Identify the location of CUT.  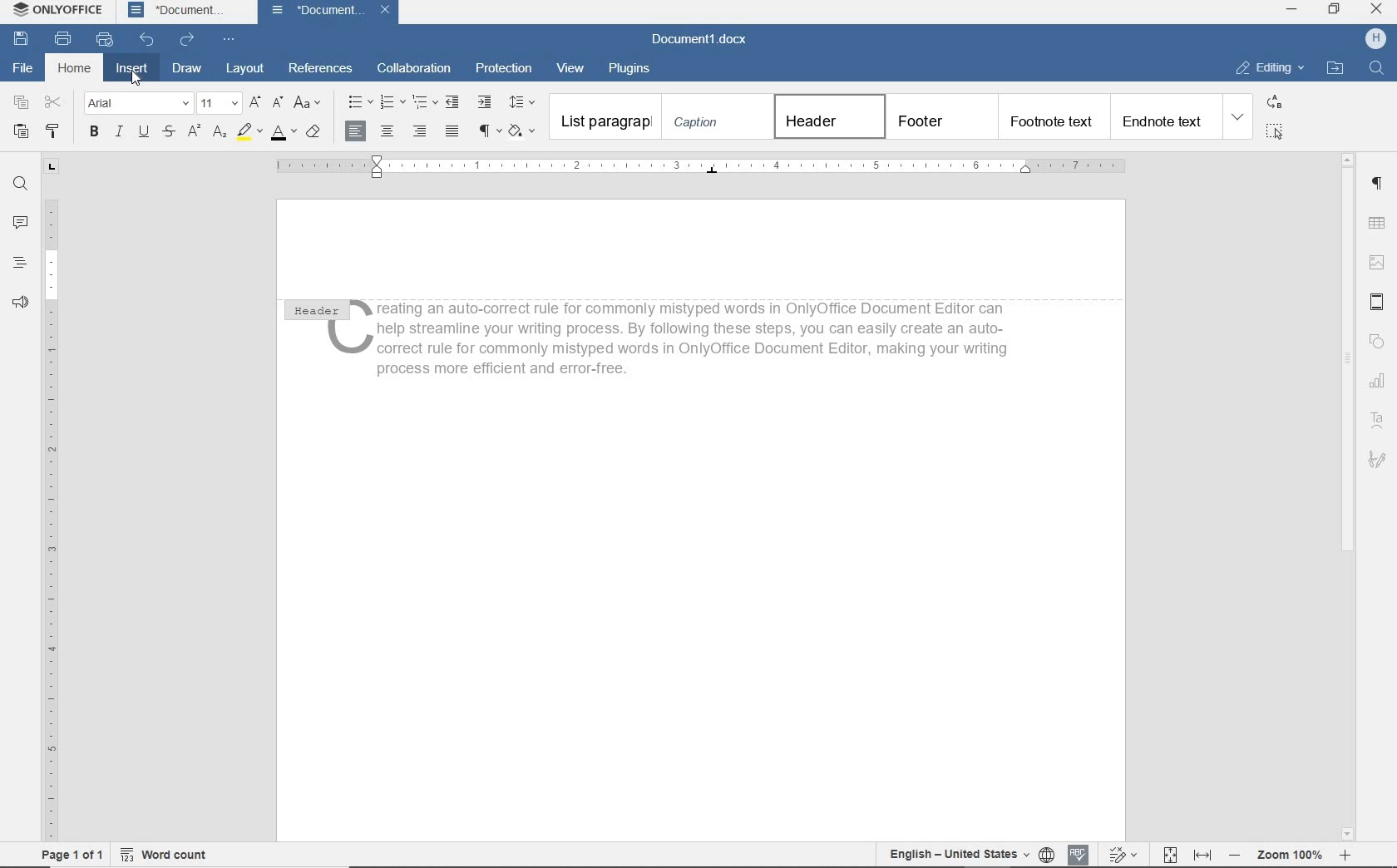
(53, 101).